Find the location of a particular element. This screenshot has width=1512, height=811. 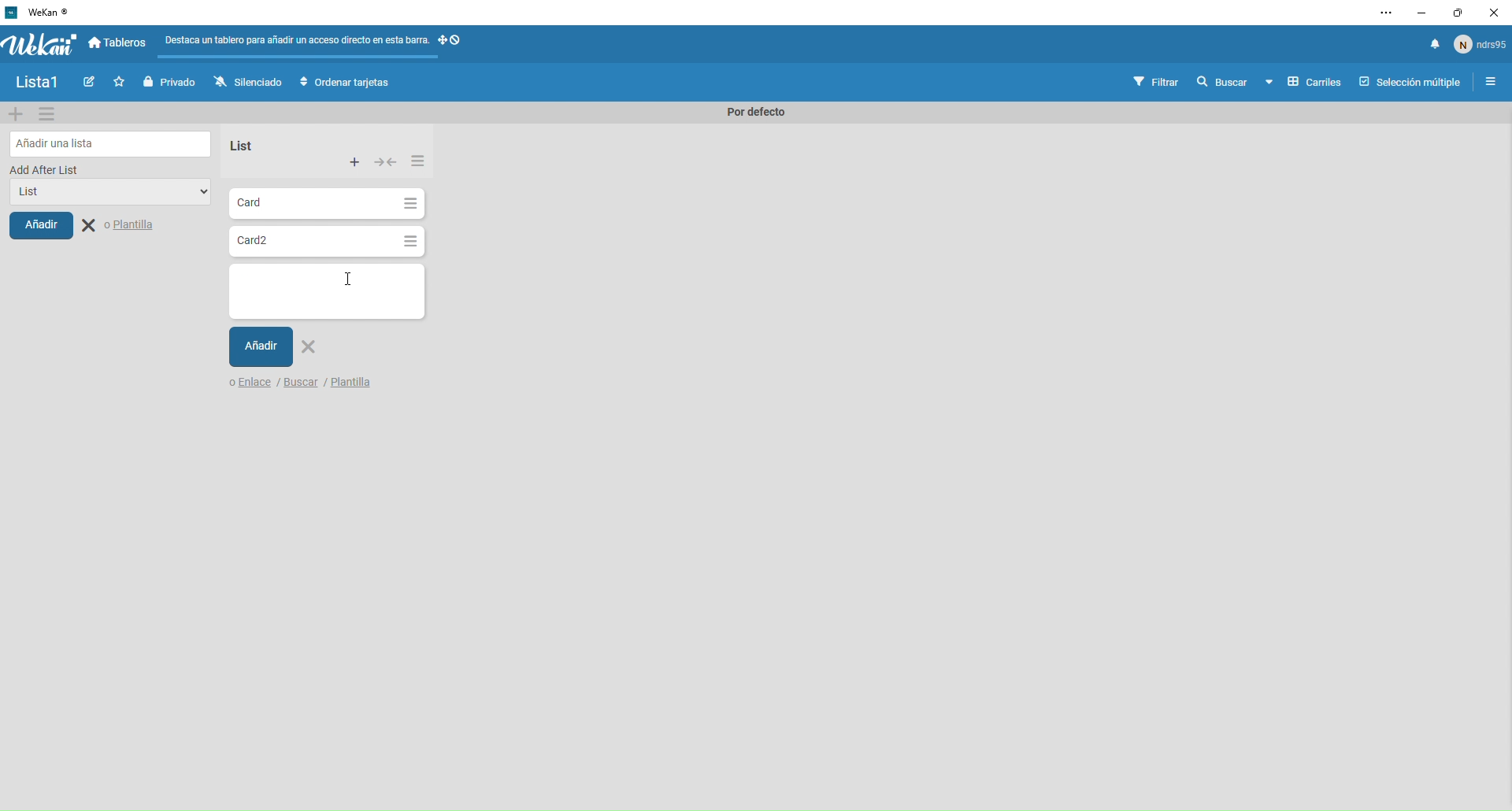

More is located at coordinates (417, 159).